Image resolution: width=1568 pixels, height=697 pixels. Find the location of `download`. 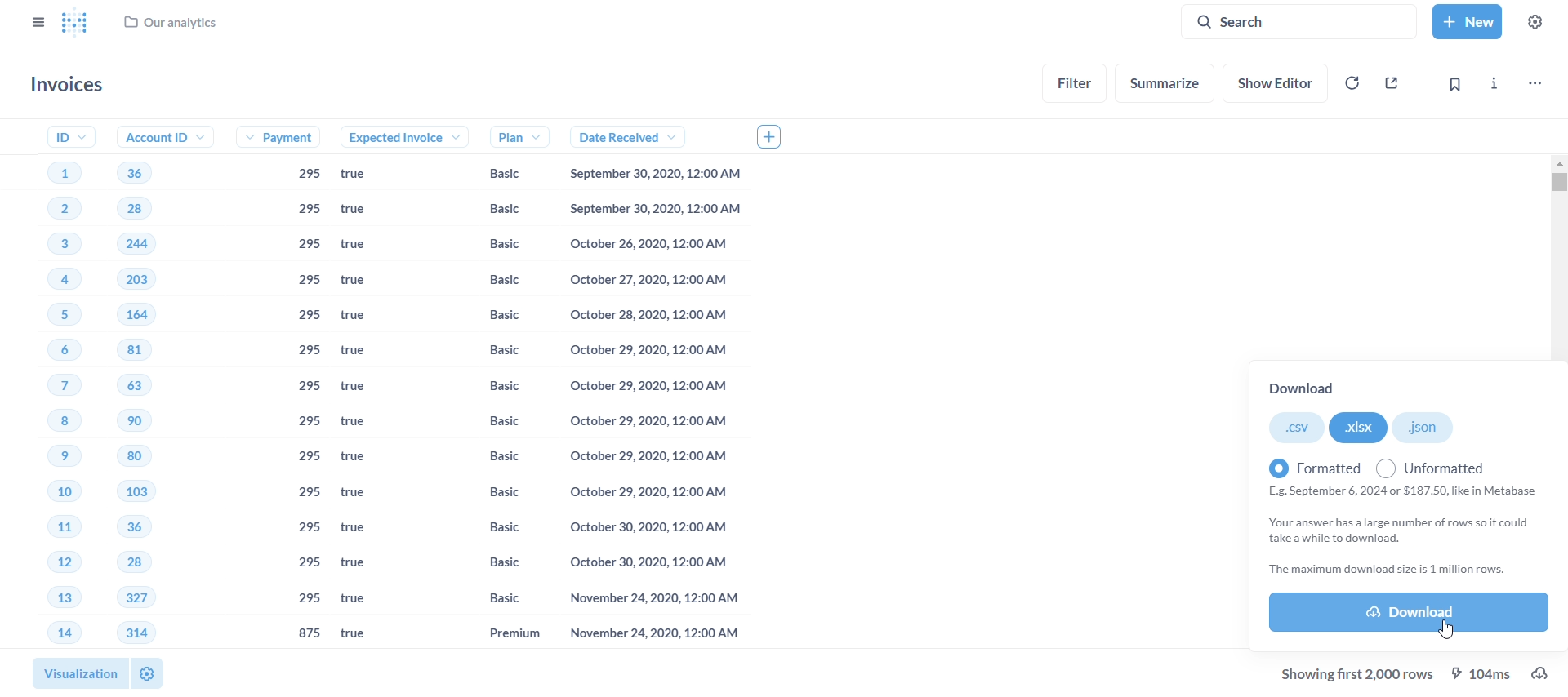

download is located at coordinates (1308, 389).